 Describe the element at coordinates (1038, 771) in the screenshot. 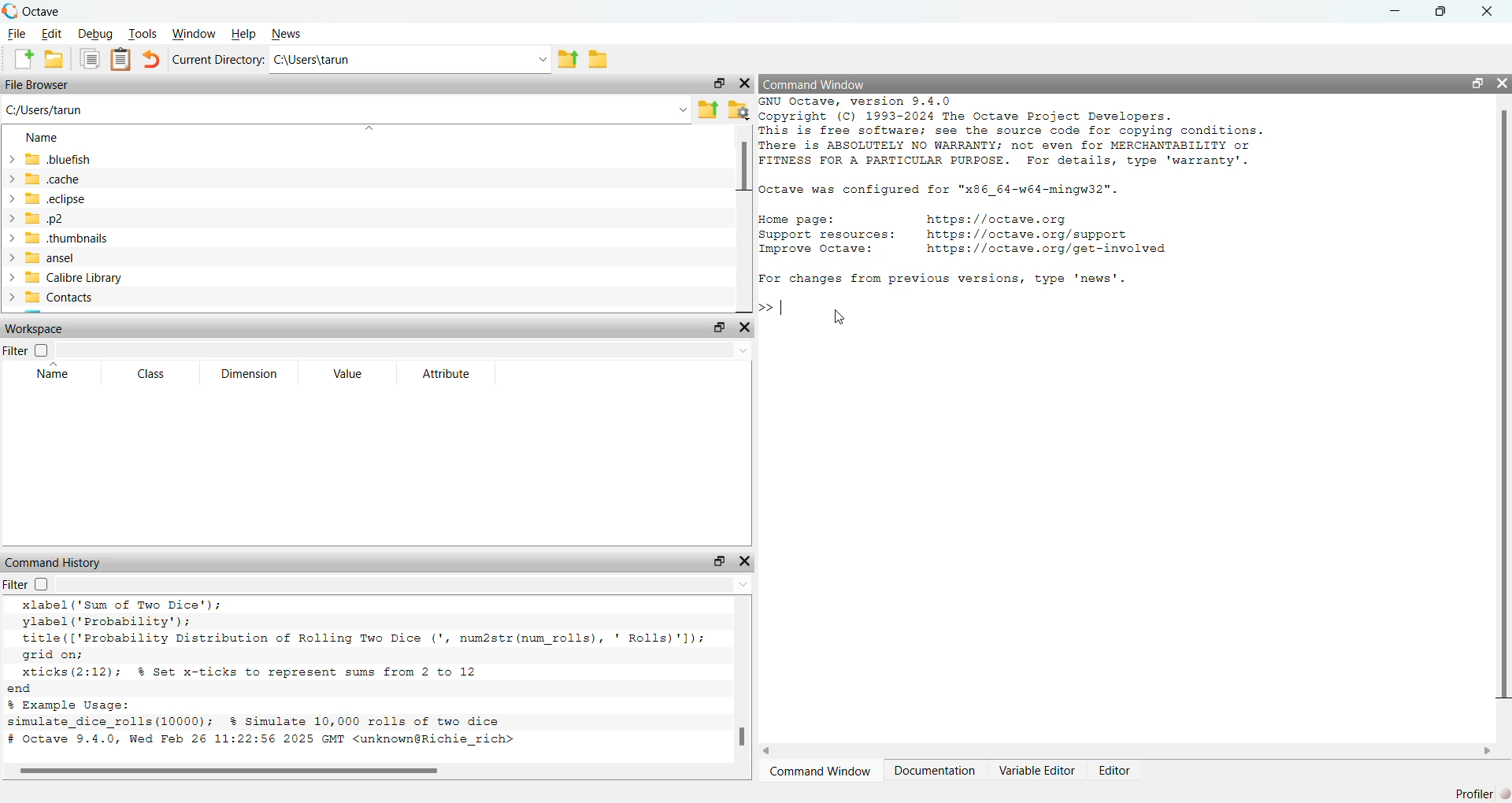

I see `Variable Editor` at that location.